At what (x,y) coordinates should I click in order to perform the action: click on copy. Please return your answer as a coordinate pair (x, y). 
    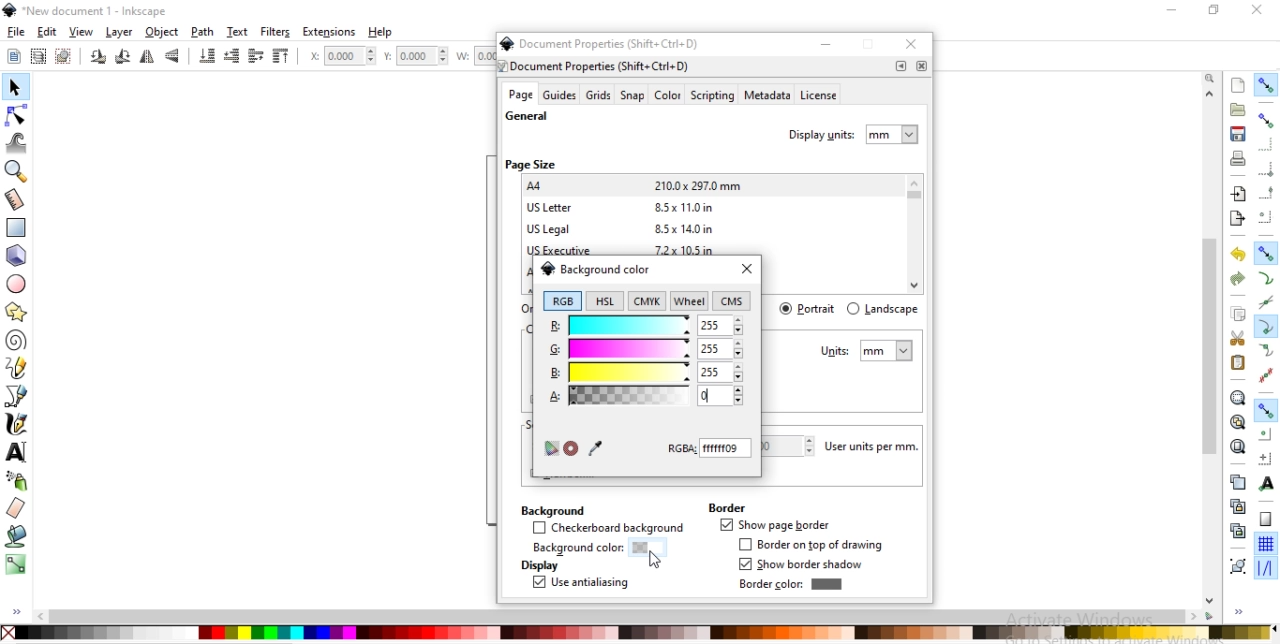
    Looking at the image, I should click on (1238, 315).